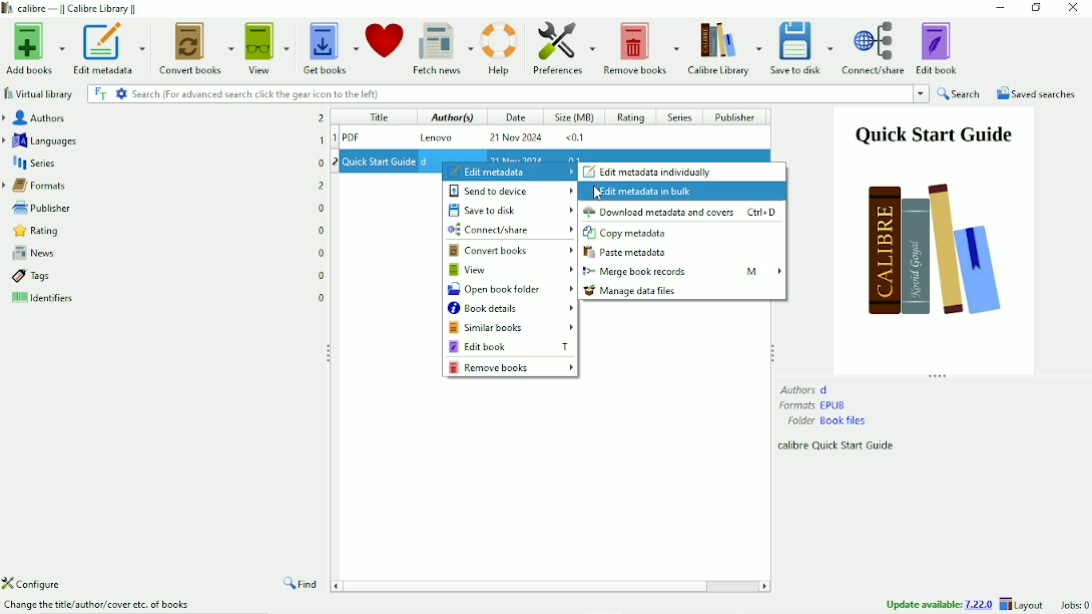 The width and height of the screenshot is (1092, 614). What do you see at coordinates (512, 328) in the screenshot?
I see `Similar books` at bounding box center [512, 328].